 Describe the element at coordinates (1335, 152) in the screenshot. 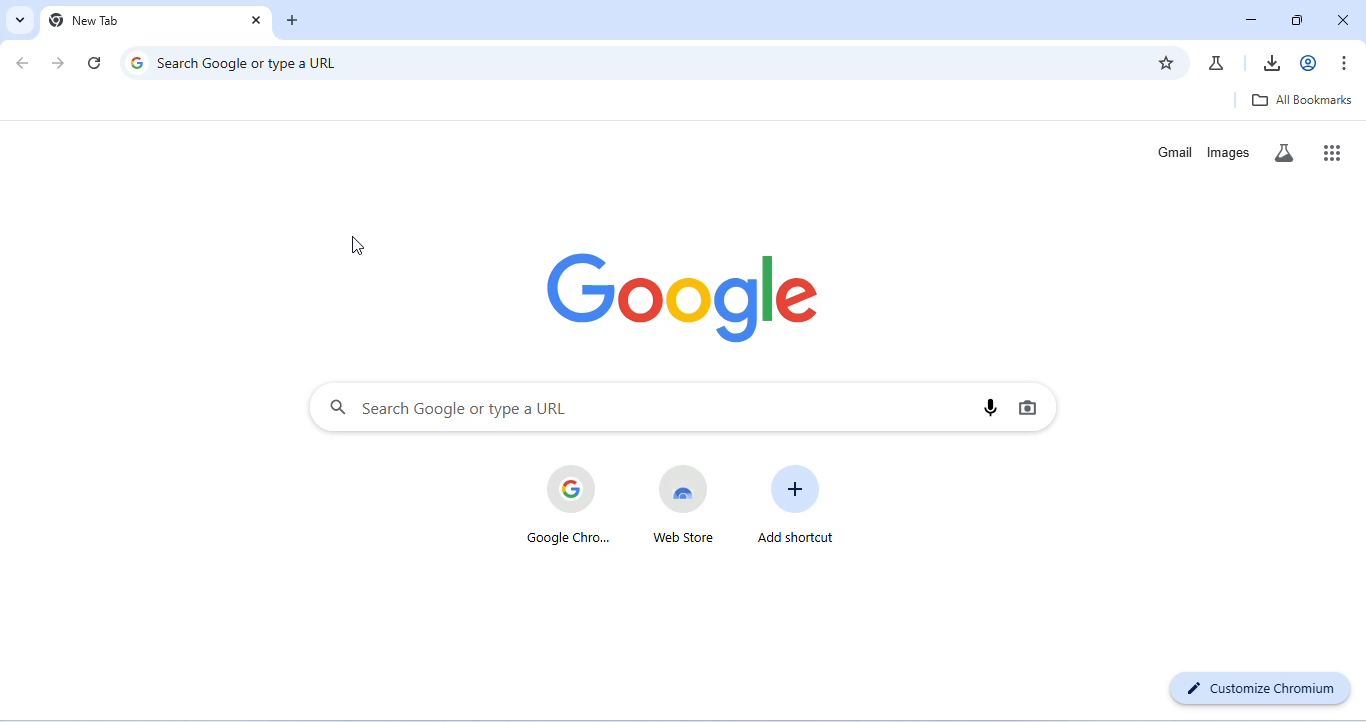

I see `google apps` at that location.